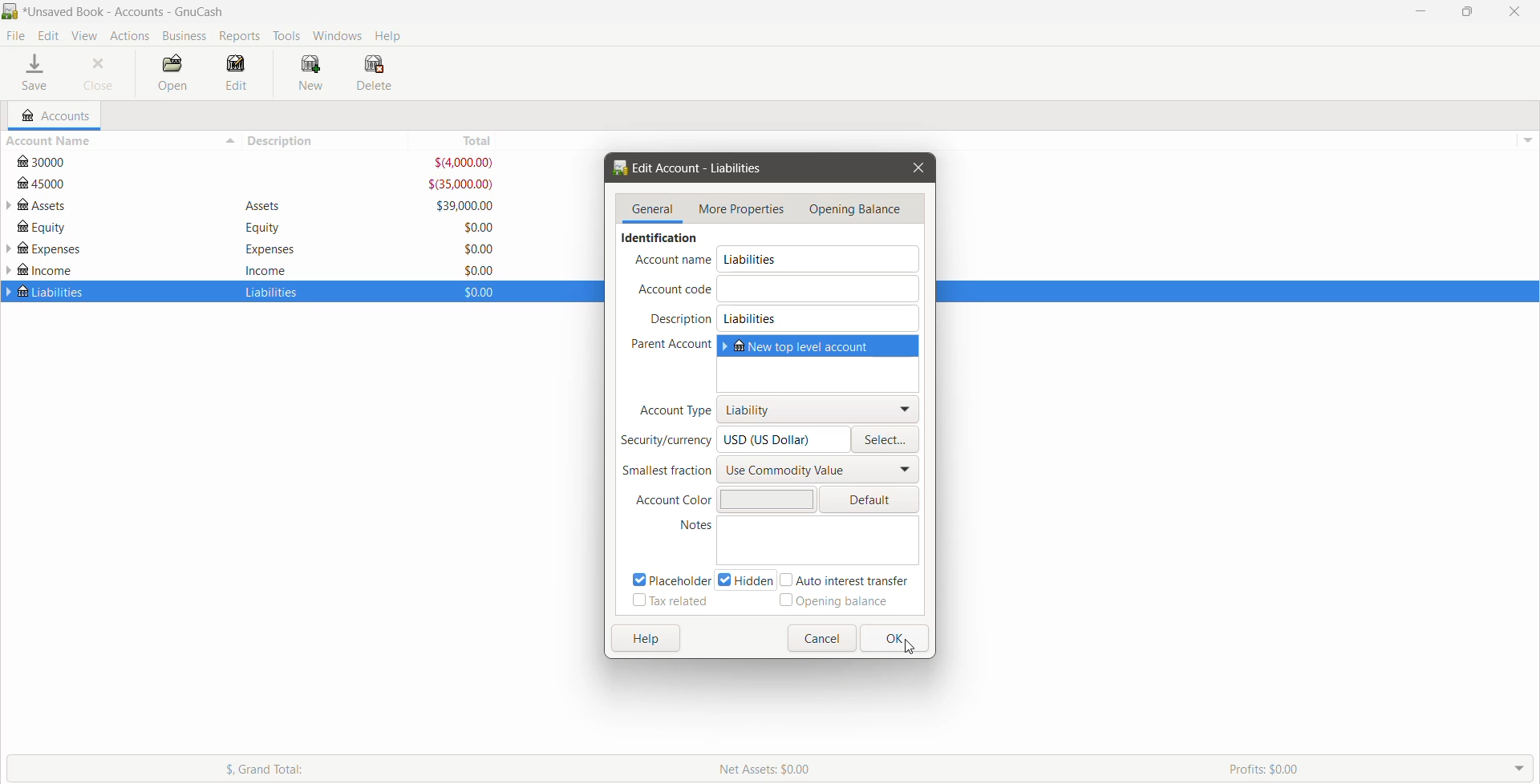  What do you see at coordinates (257, 184) in the screenshot?
I see `details of the account "45000"` at bounding box center [257, 184].